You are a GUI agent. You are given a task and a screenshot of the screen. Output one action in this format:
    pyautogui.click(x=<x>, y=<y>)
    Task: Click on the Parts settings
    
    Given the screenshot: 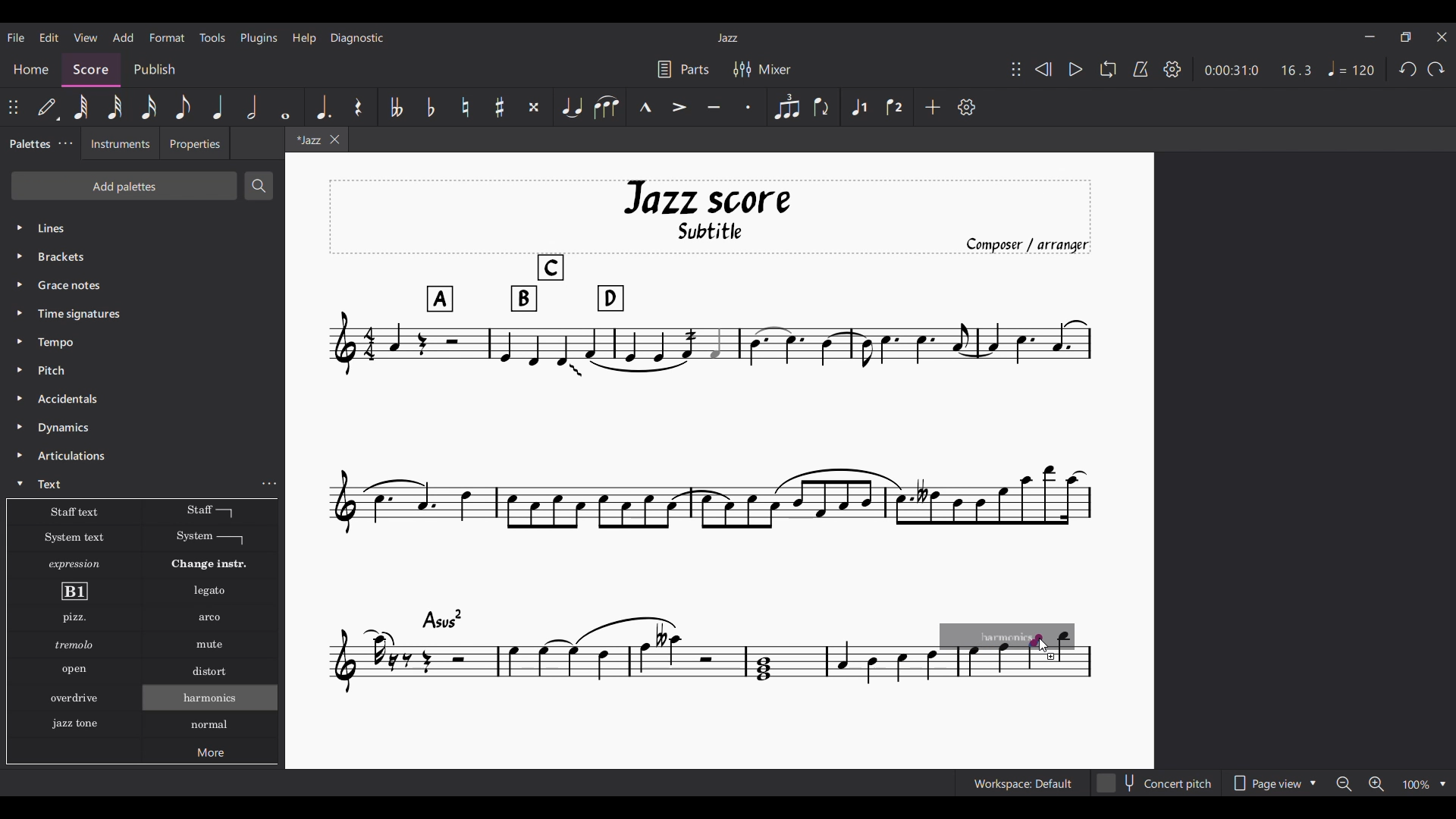 What is the action you would take?
    pyautogui.click(x=684, y=69)
    